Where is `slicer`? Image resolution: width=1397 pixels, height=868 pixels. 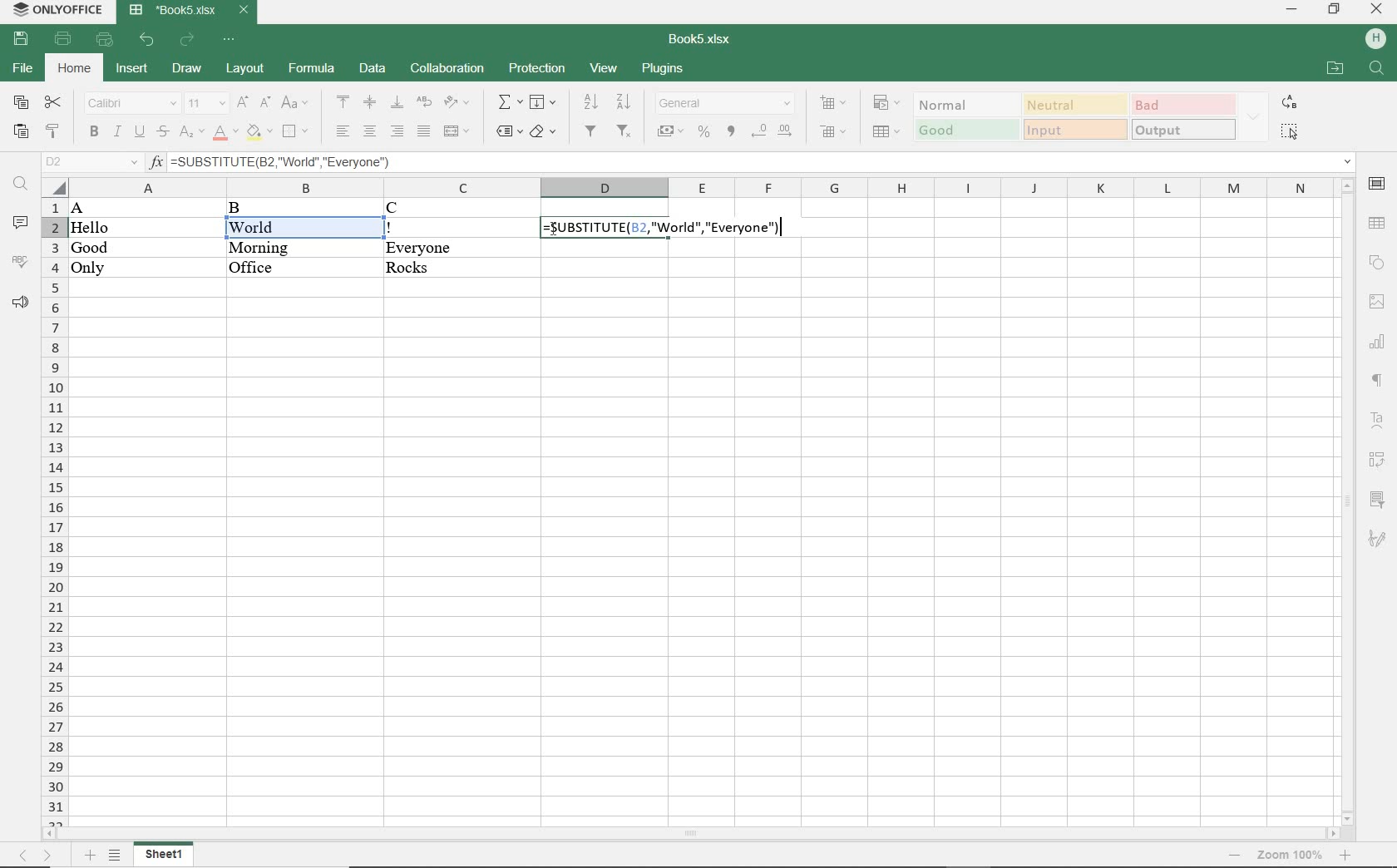 slicer is located at coordinates (1376, 498).